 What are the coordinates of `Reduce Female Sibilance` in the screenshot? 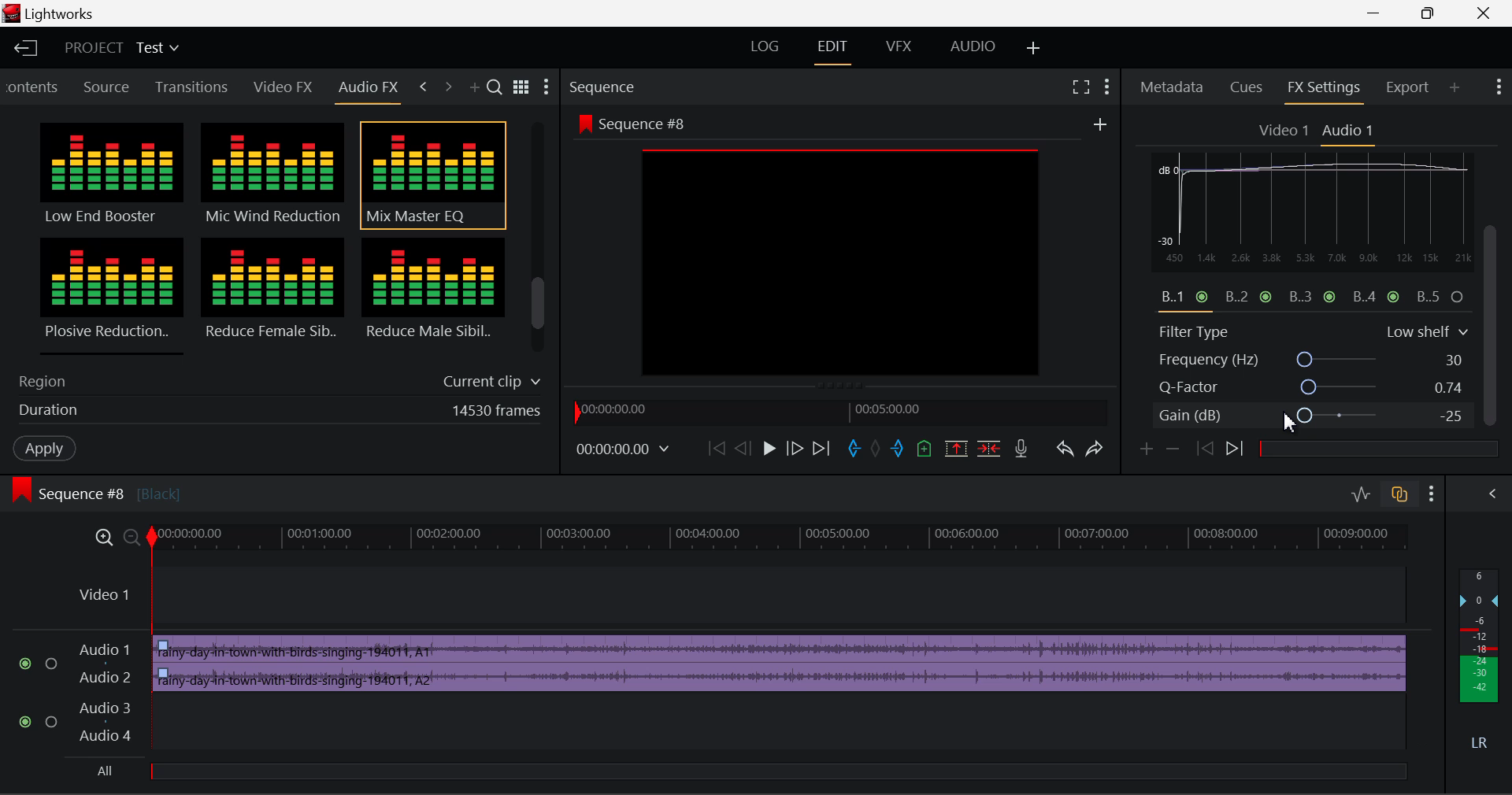 It's located at (273, 296).